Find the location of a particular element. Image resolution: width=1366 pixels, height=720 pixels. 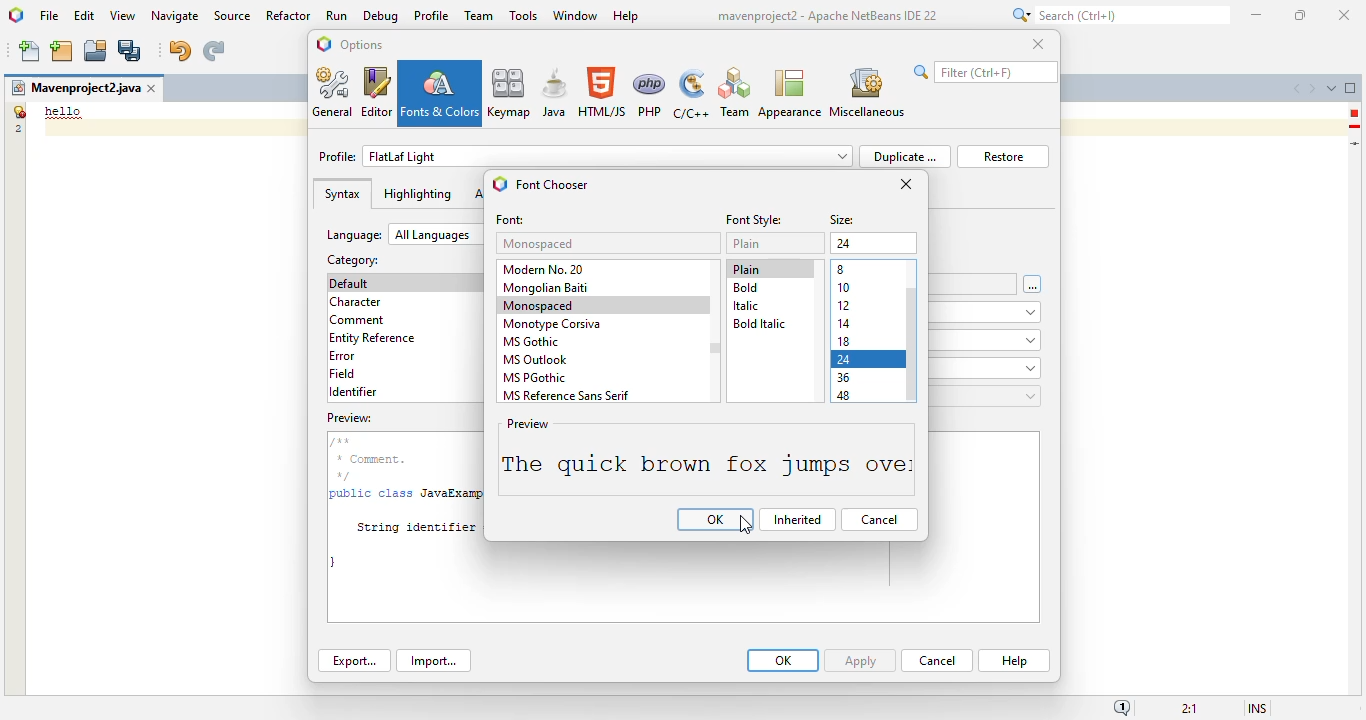

title is located at coordinates (826, 16).